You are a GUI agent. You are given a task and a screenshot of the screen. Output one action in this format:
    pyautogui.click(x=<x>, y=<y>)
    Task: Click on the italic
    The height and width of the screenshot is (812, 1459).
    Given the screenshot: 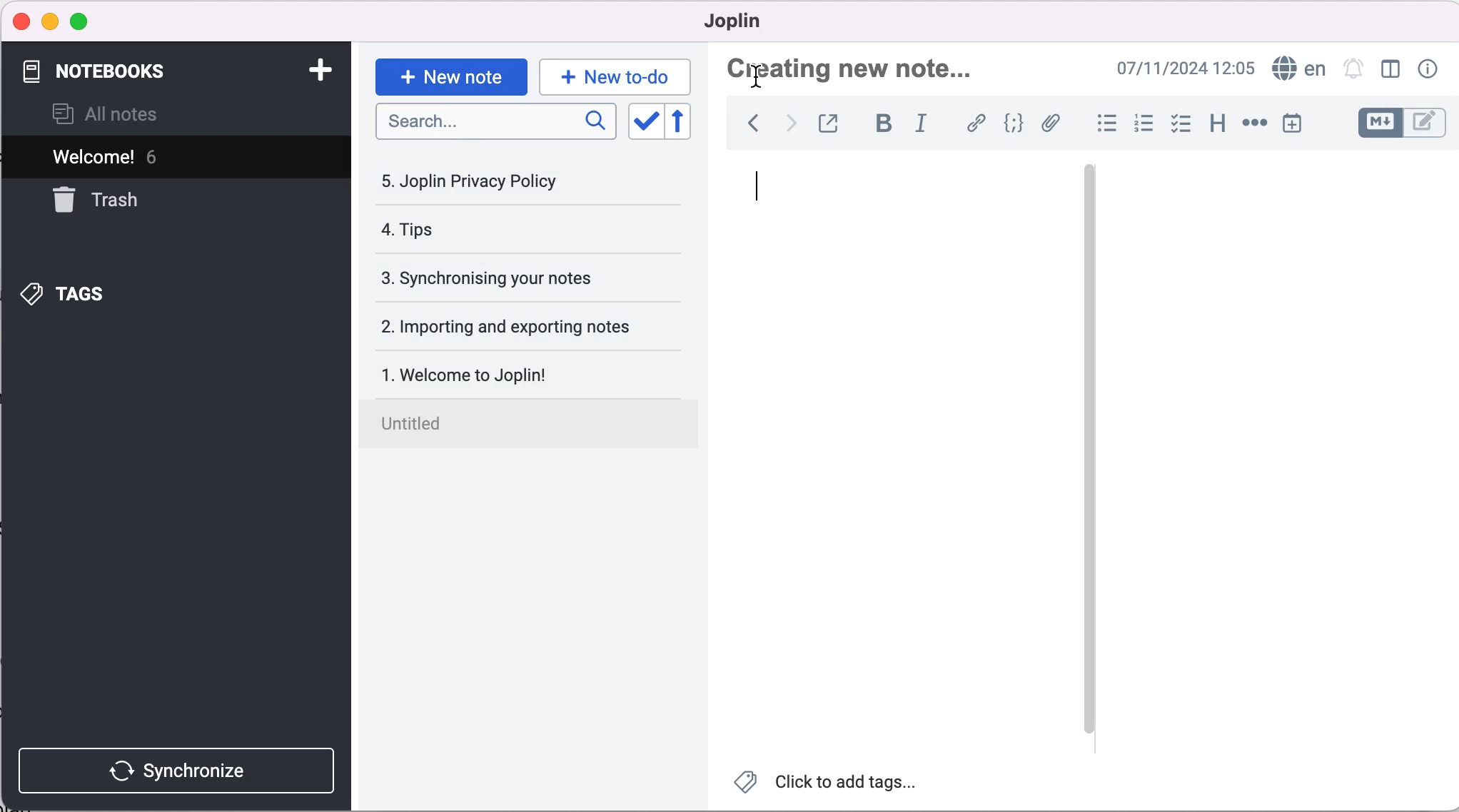 What is the action you would take?
    pyautogui.click(x=923, y=123)
    